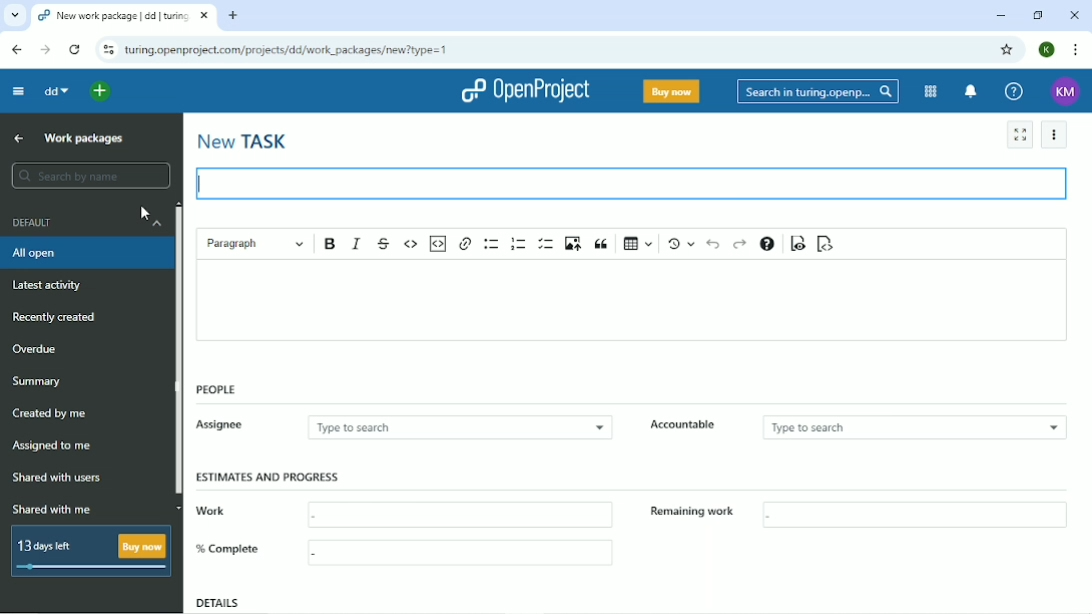 The width and height of the screenshot is (1092, 614). What do you see at coordinates (451, 429) in the screenshot?
I see `Type to search` at bounding box center [451, 429].